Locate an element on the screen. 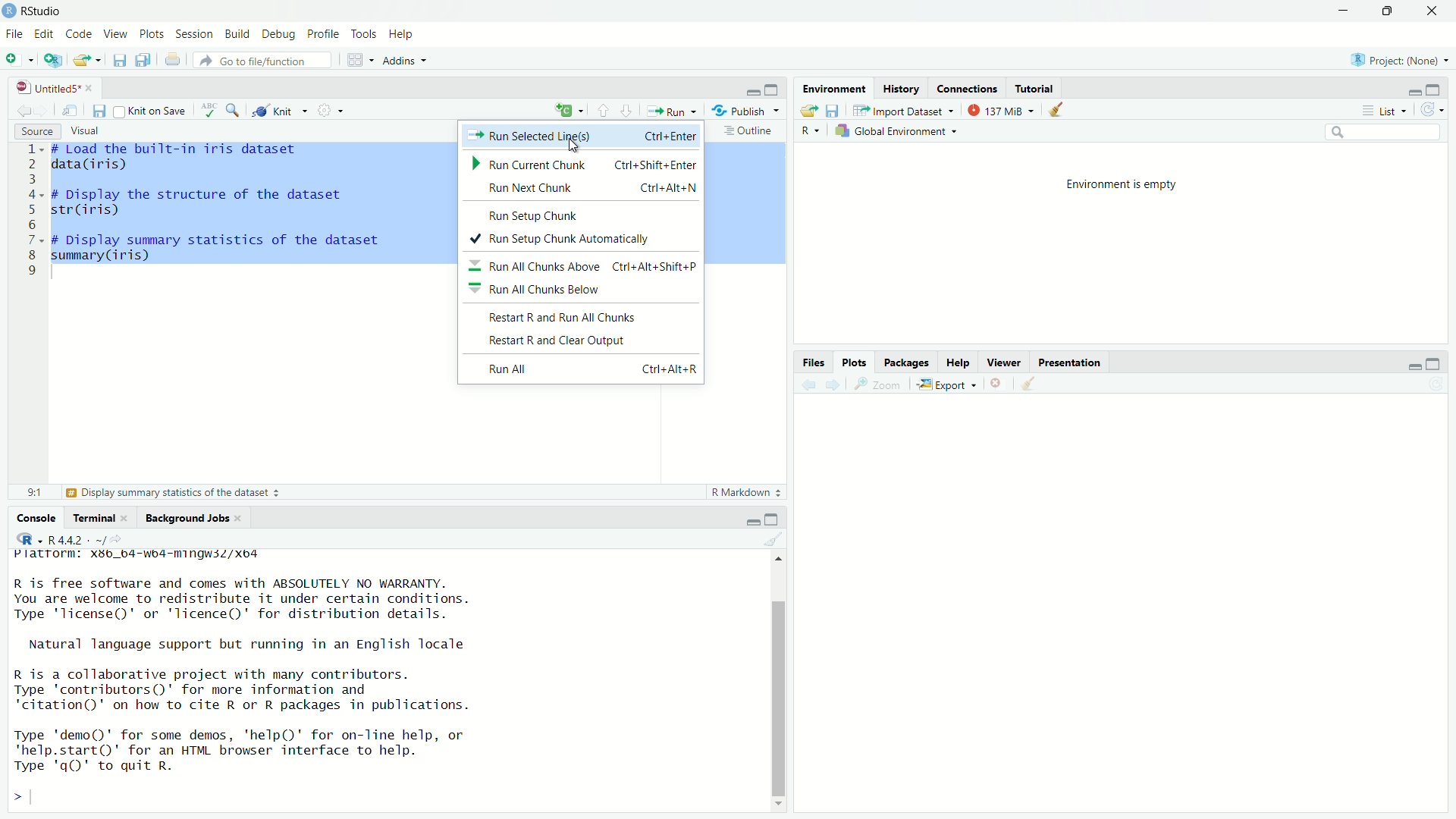  Export log history is located at coordinates (811, 109).